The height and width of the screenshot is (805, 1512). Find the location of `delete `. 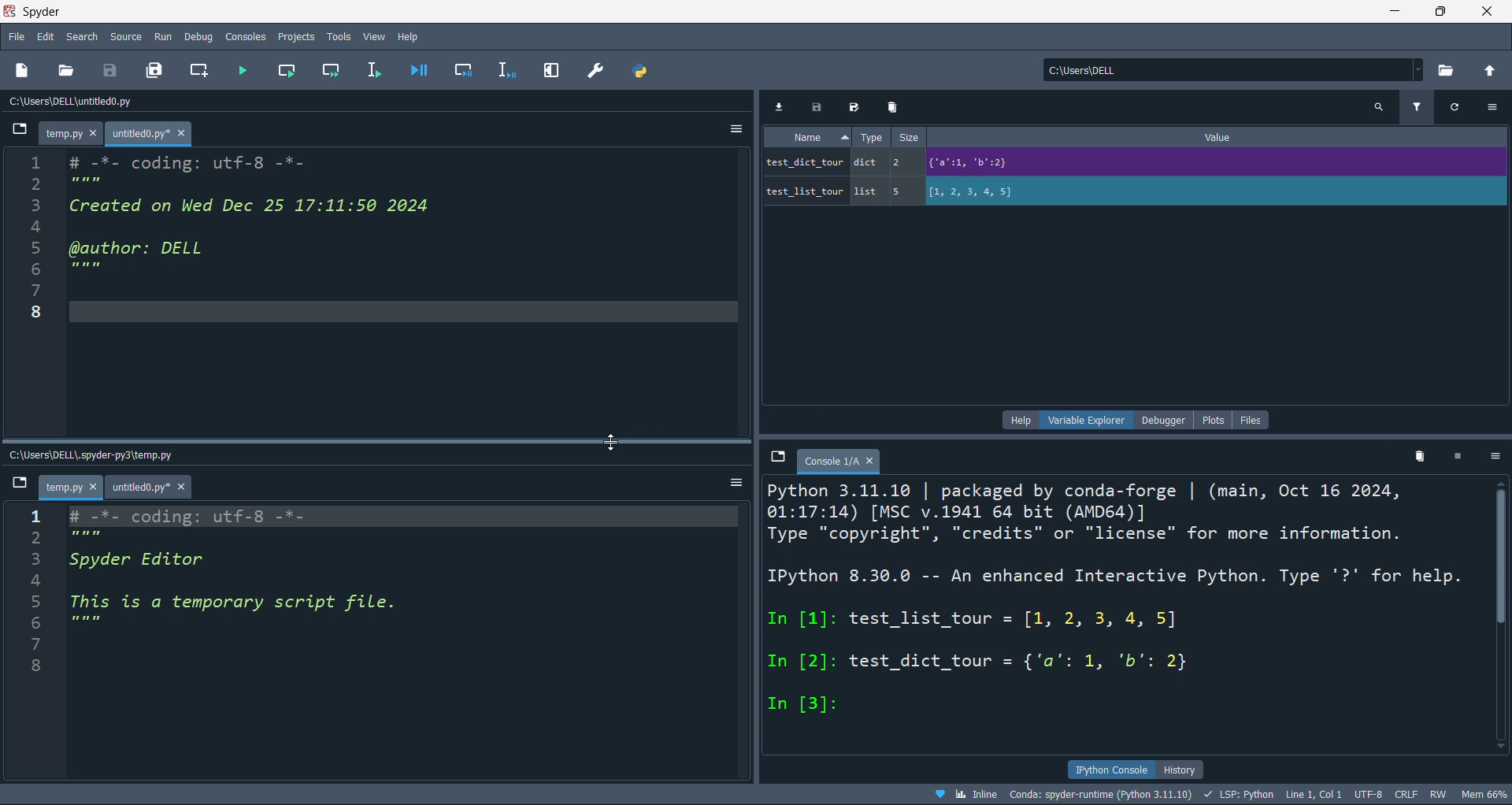

delete  is located at coordinates (891, 107).